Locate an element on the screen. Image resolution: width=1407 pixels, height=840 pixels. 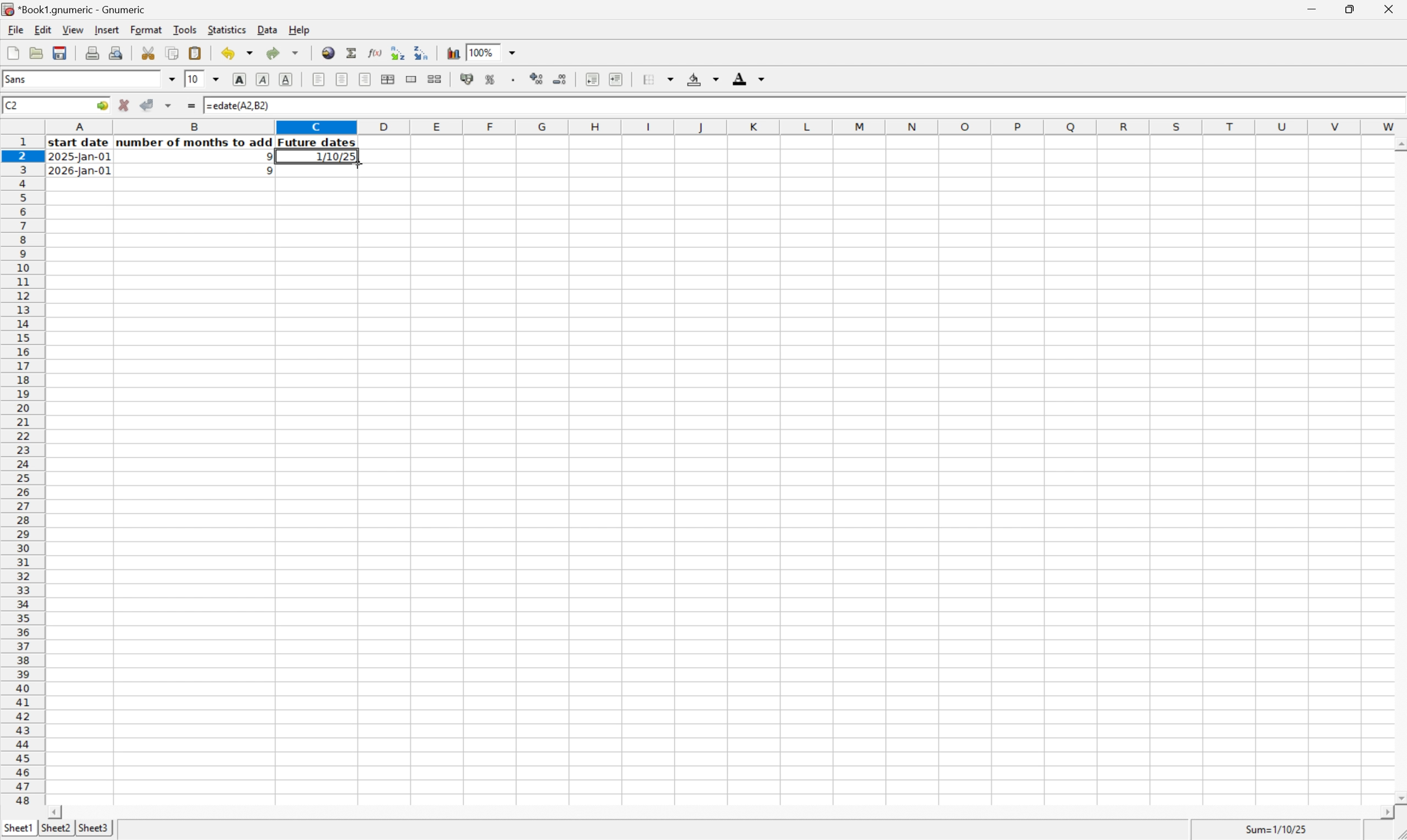
9 is located at coordinates (265, 172).